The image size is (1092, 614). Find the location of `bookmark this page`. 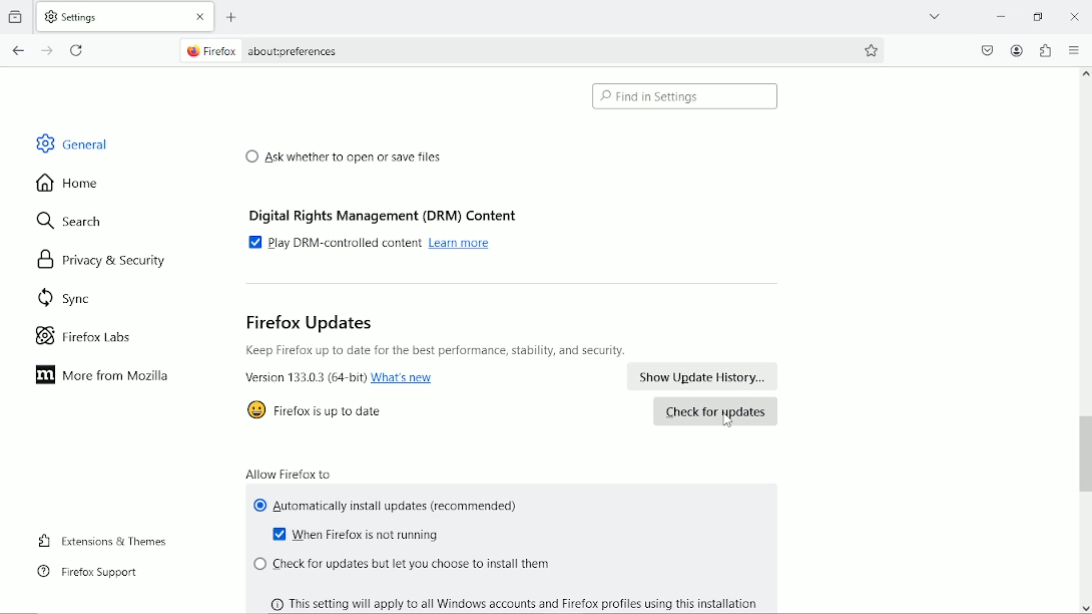

bookmark this page is located at coordinates (872, 48).